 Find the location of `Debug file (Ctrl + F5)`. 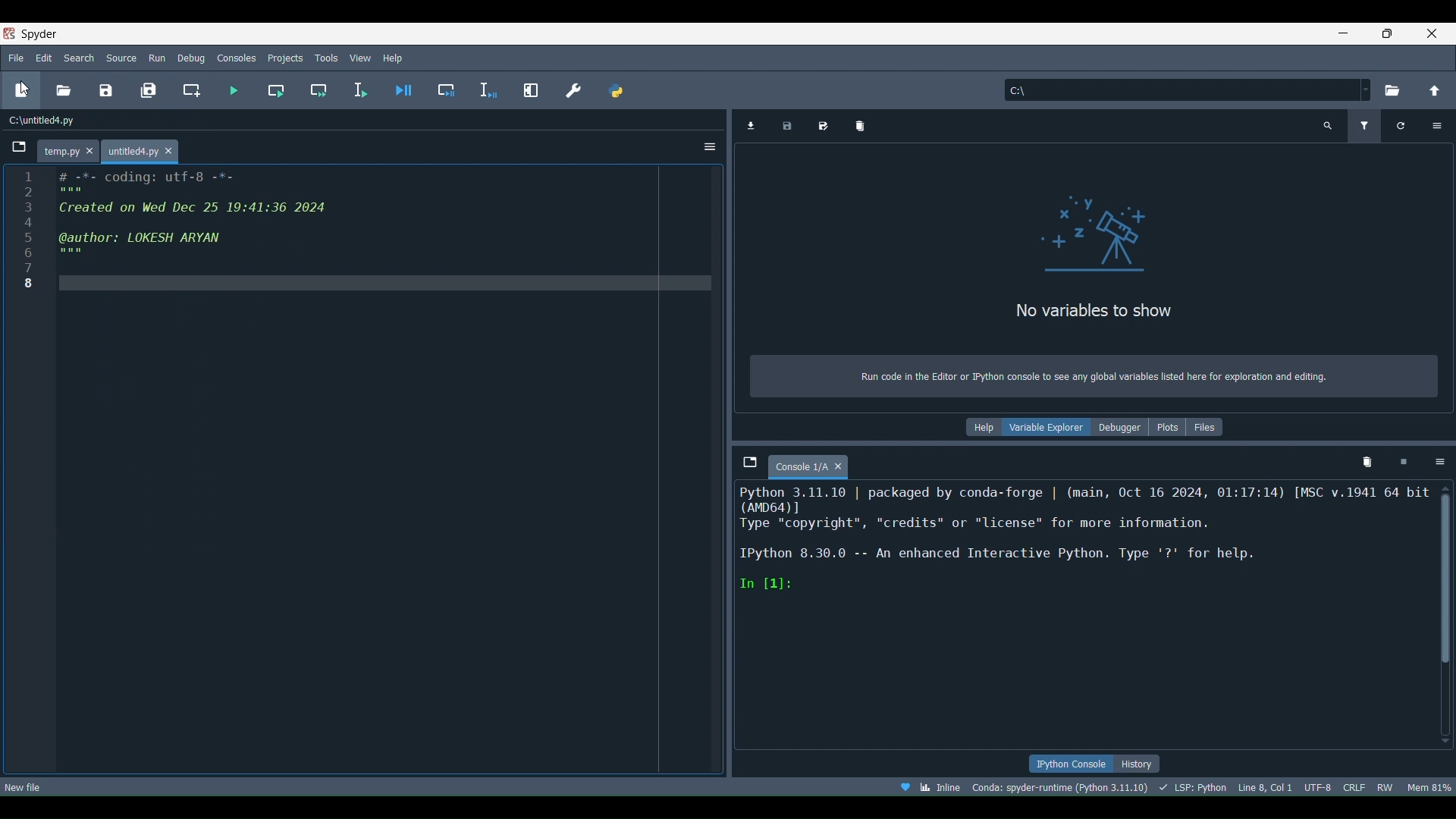

Debug file (Ctrl + F5) is located at coordinates (397, 90).